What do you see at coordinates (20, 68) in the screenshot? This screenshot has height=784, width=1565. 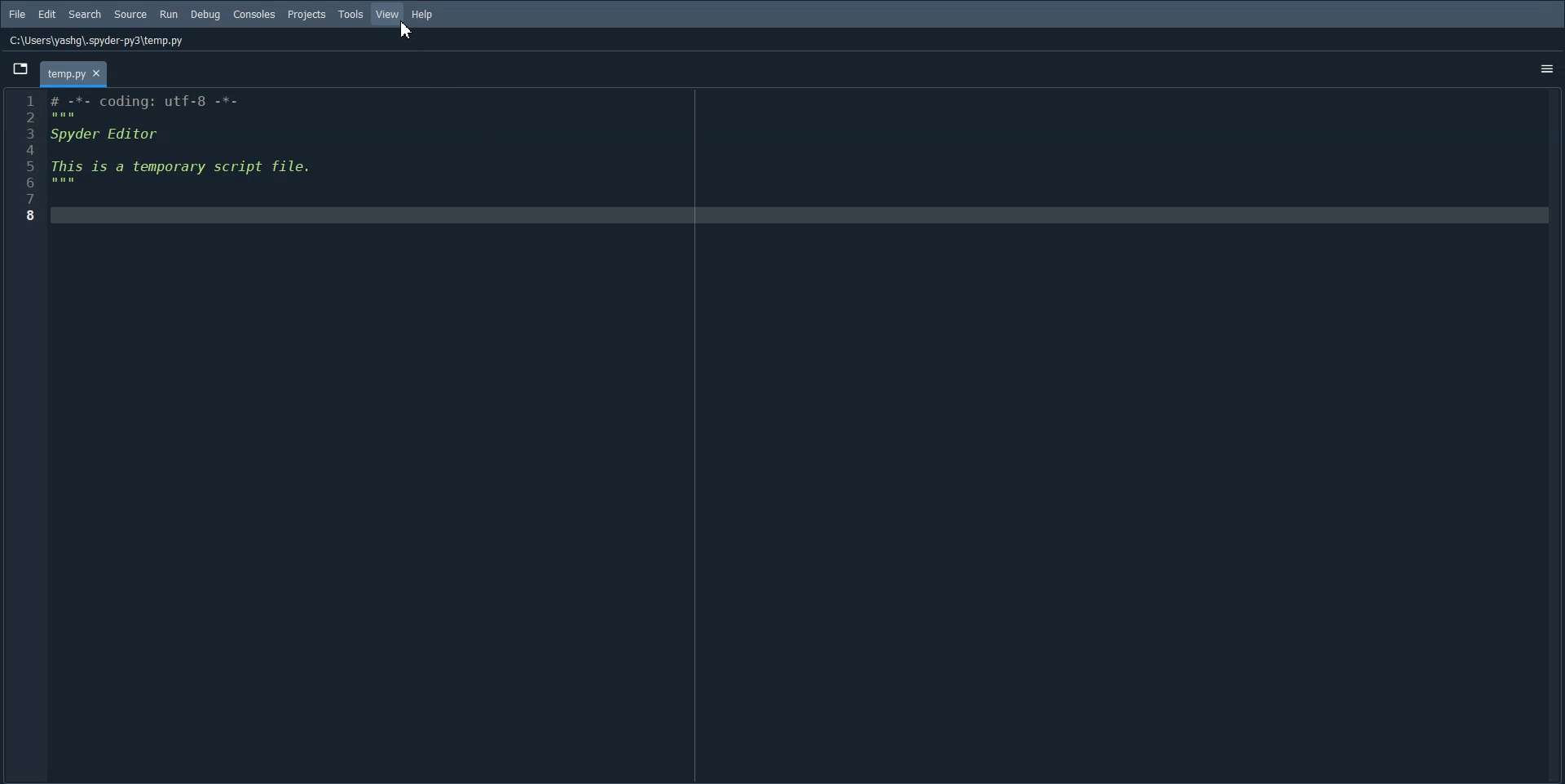 I see `Browse Tab` at bounding box center [20, 68].